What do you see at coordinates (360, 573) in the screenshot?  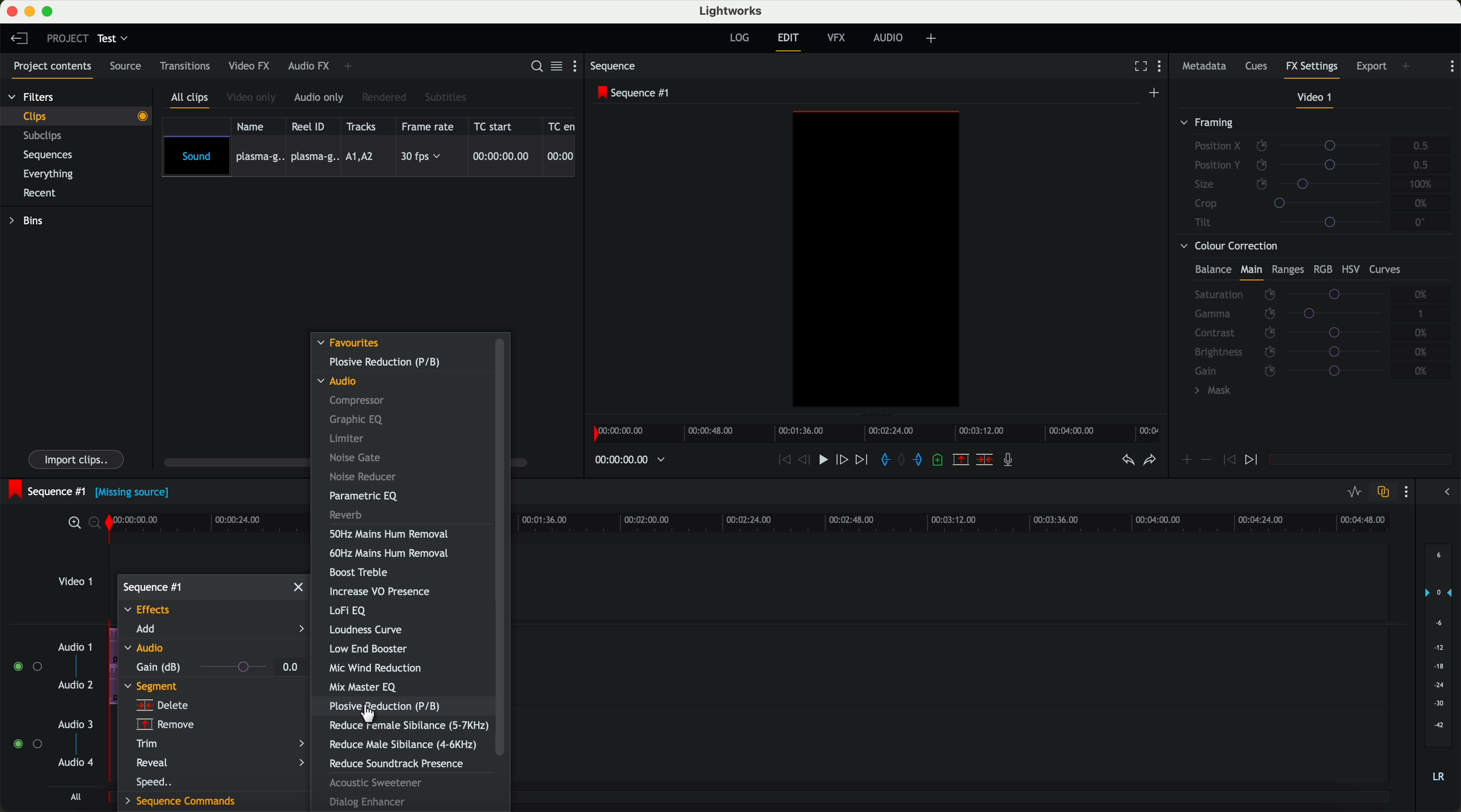 I see `boost treble` at bounding box center [360, 573].